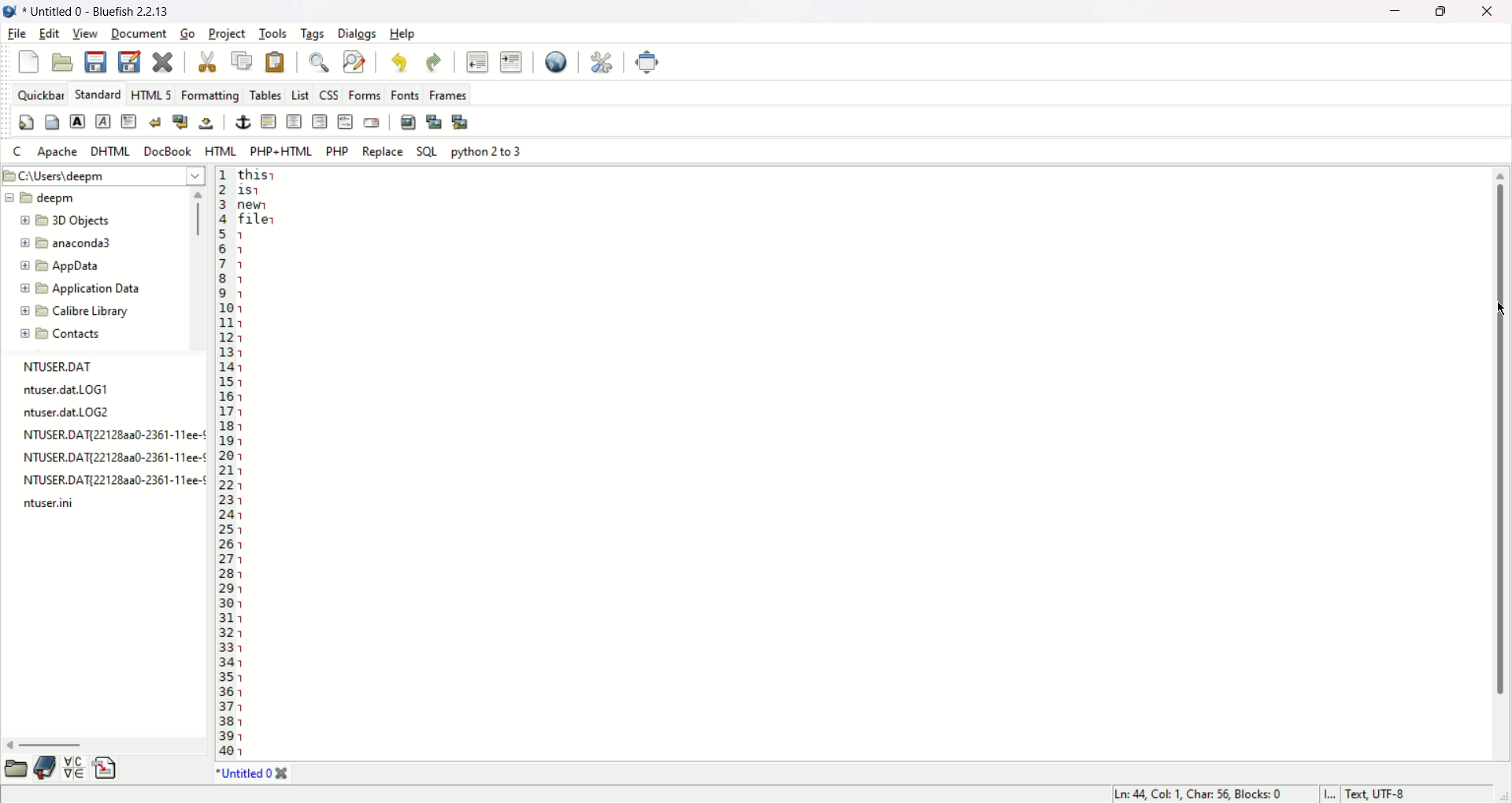  What do you see at coordinates (245, 776) in the screenshot?
I see `document tab` at bounding box center [245, 776].